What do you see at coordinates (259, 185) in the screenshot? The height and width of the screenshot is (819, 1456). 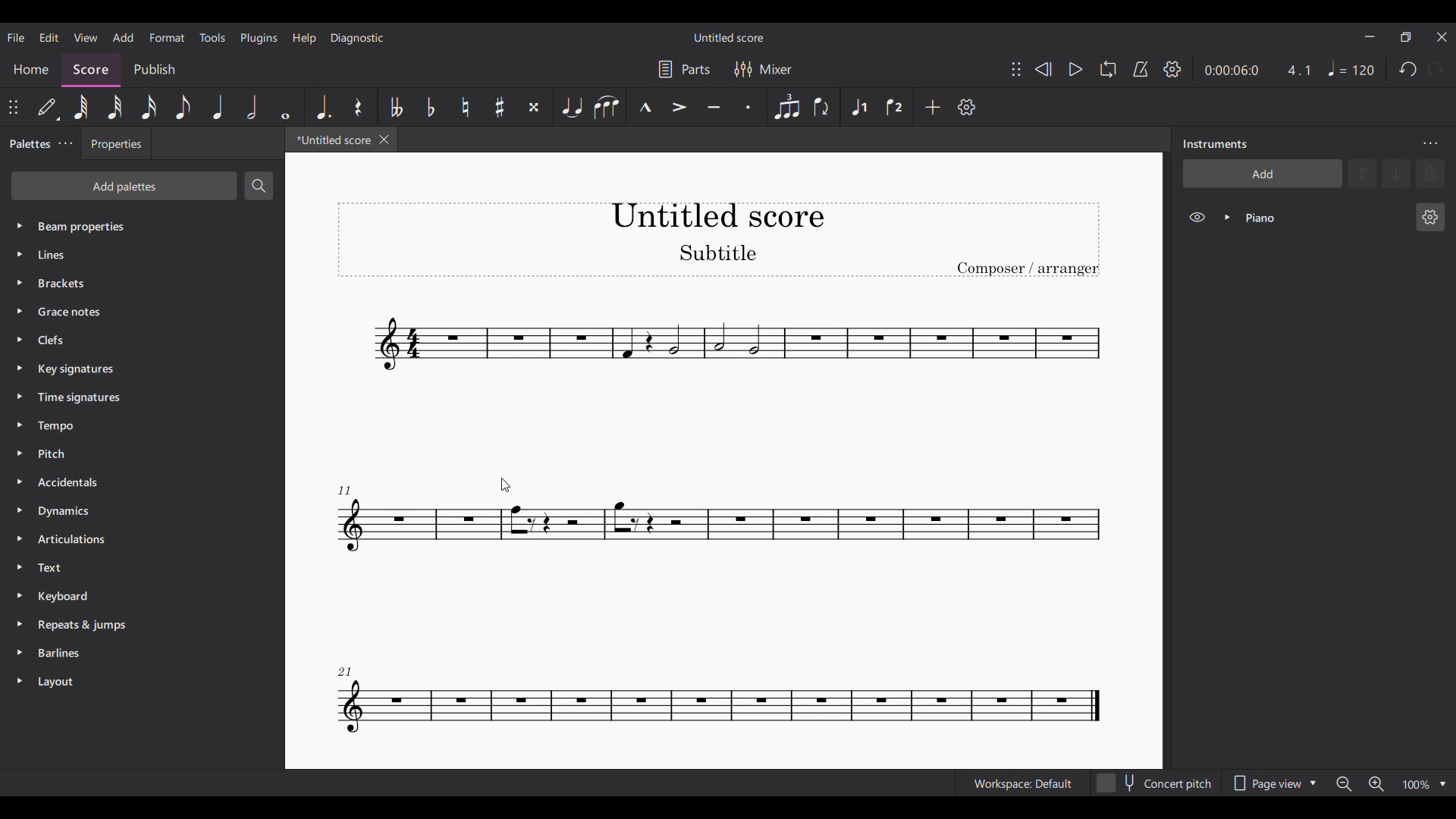 I see `Search palette` at bounding box center [259, 185].